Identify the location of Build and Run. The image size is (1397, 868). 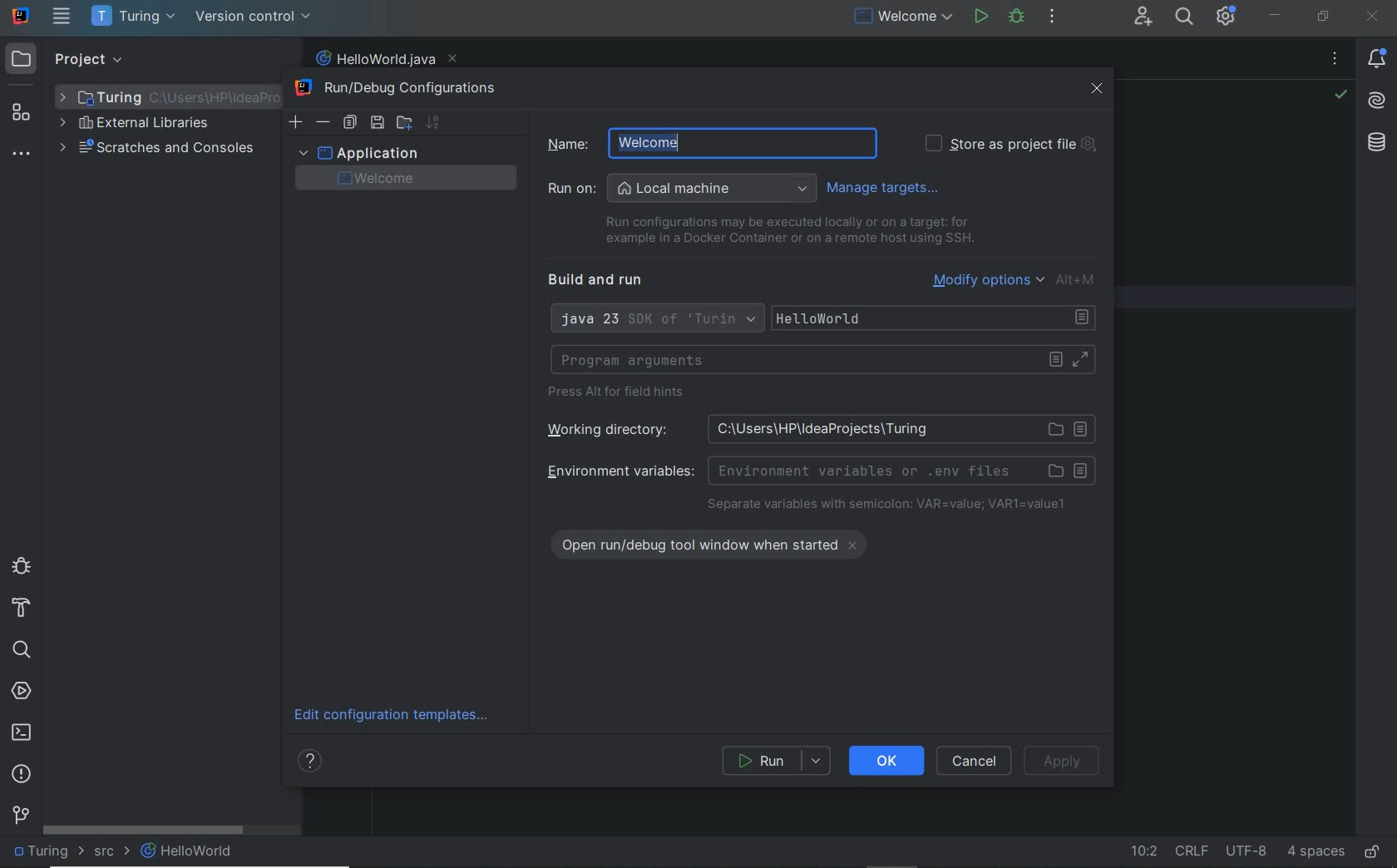
(602, 280).